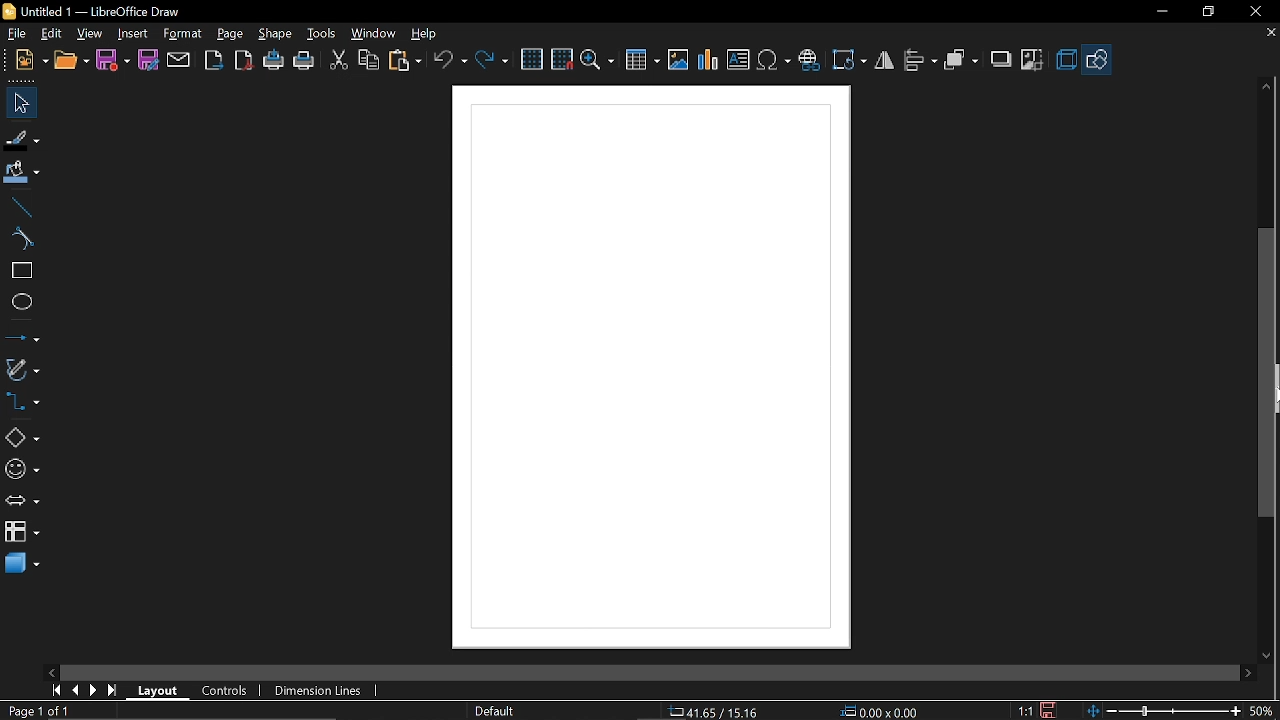 Image resolution: width=1280 pixels, height=720 pixels. What do you see at coordinates (1206, 13) in the screenshot?
I see `Restore down` at bounding box center [1206, 13].